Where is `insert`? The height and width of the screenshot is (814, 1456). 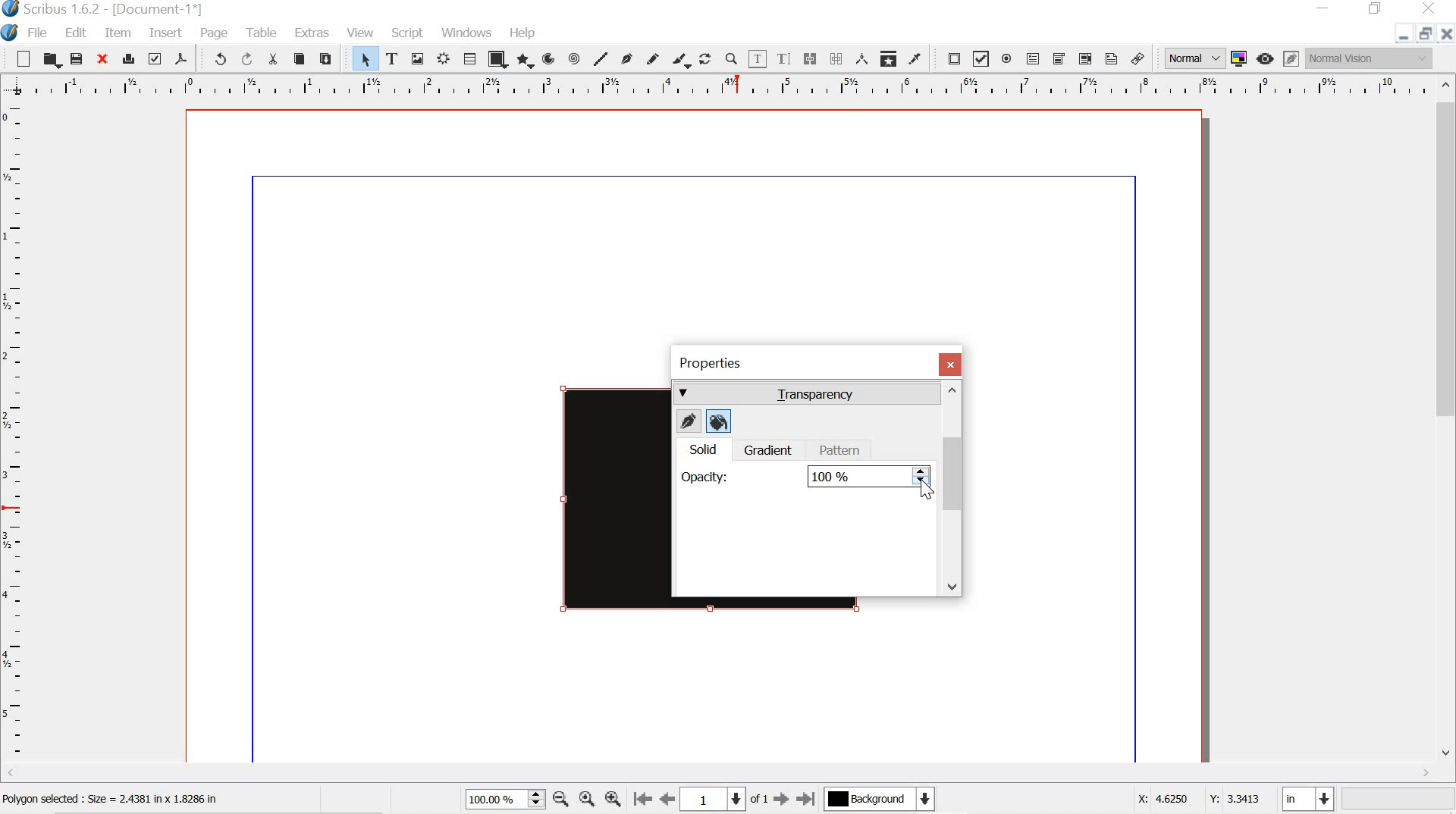
insert is located at coordinates (165, 33).